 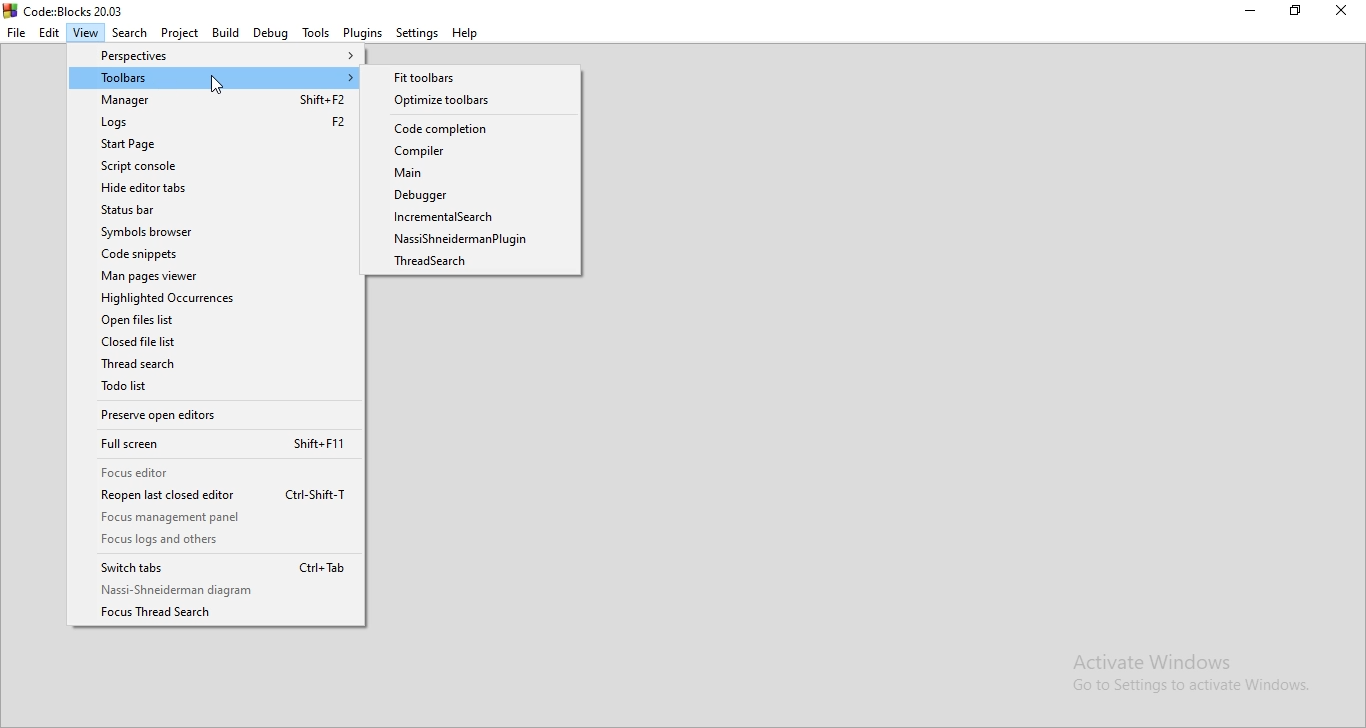 I want to click on Minimise, so click(x=1254, y=11).